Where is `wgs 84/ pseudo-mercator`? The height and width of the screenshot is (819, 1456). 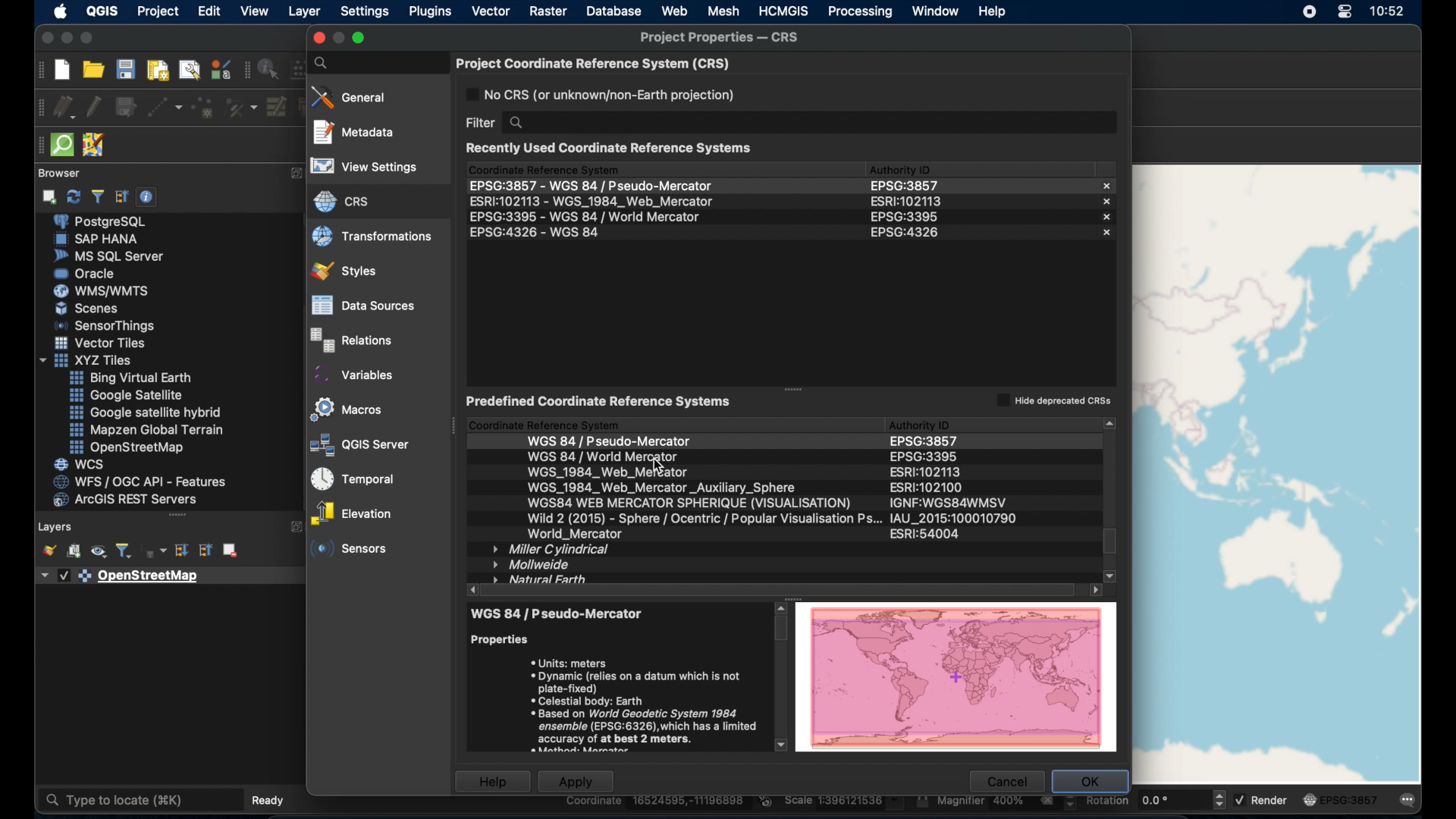 wgs 84/ pseudo-mercator is located at coordinates (613, 441).